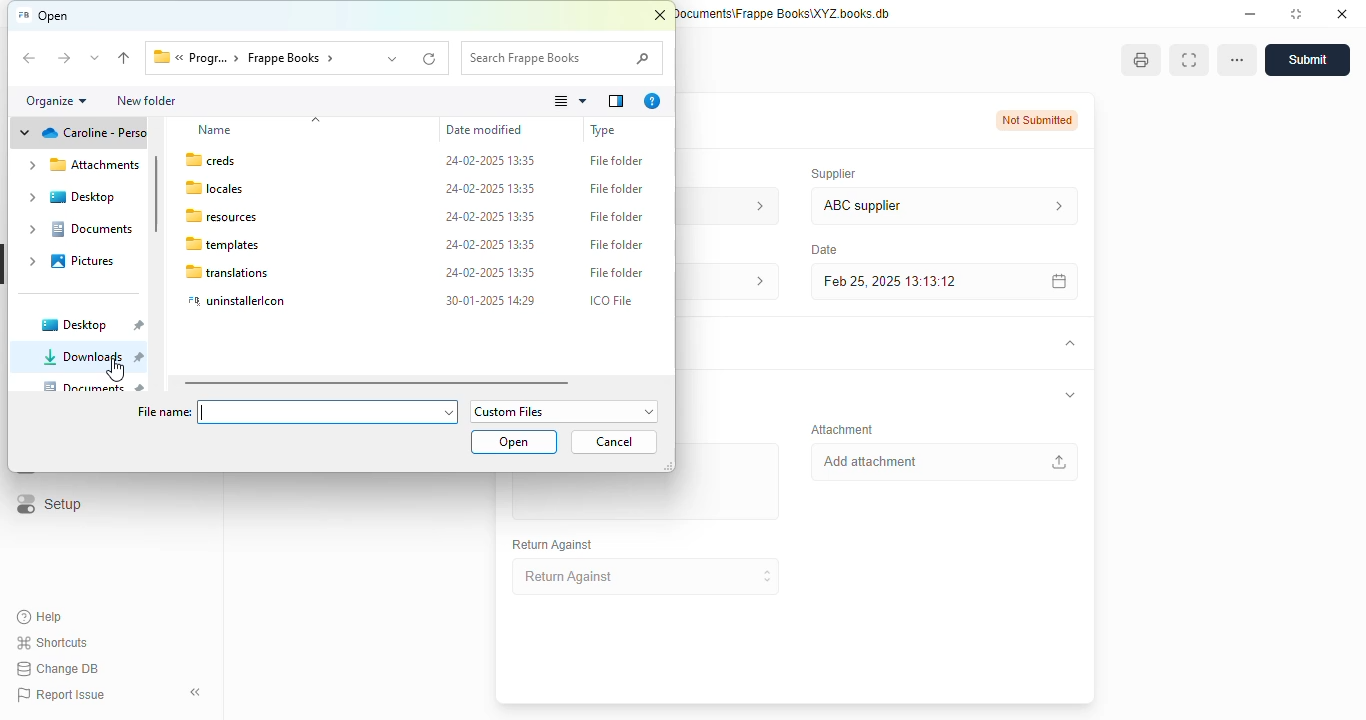  I want to click on cancel, so click(614, 441).